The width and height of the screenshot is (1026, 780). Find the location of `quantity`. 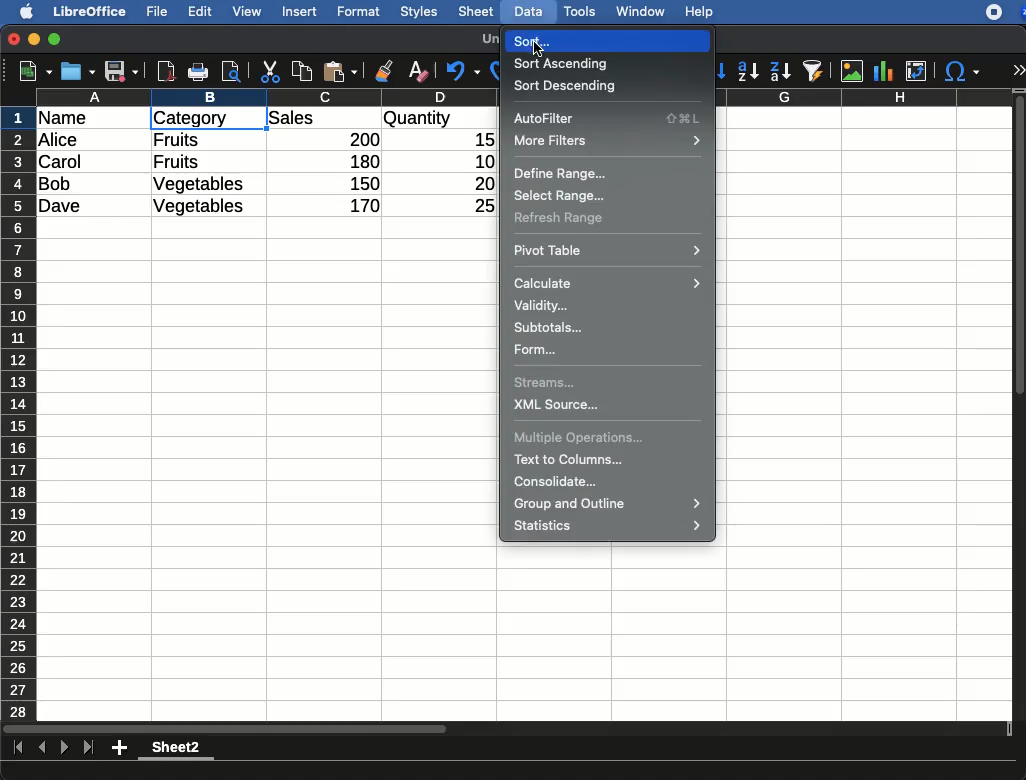

quantity is located at coordinates (439, 120).